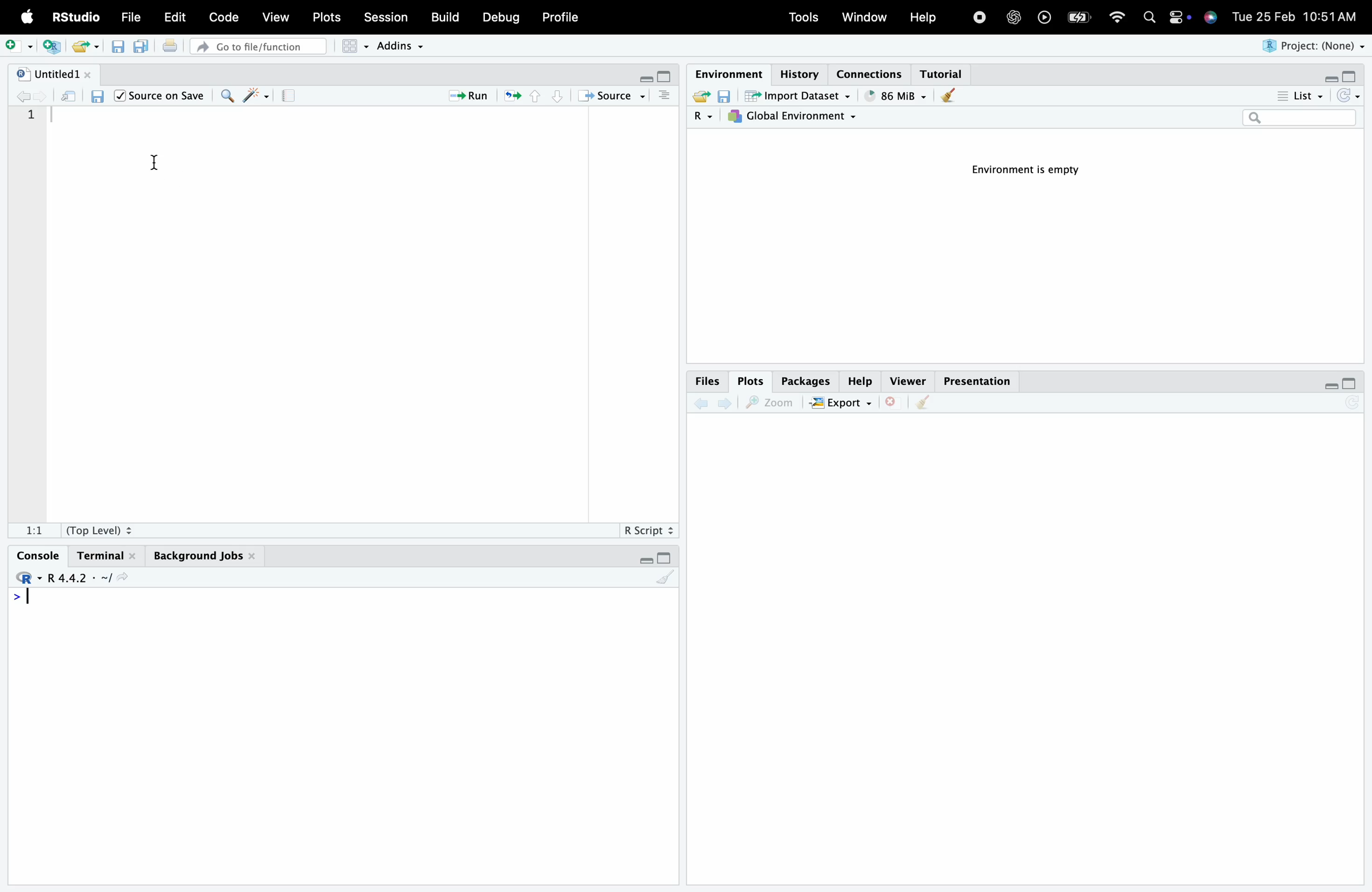 The width and height of the screenshot is (1372, 892). I want to click on play, so click(1045, 16).